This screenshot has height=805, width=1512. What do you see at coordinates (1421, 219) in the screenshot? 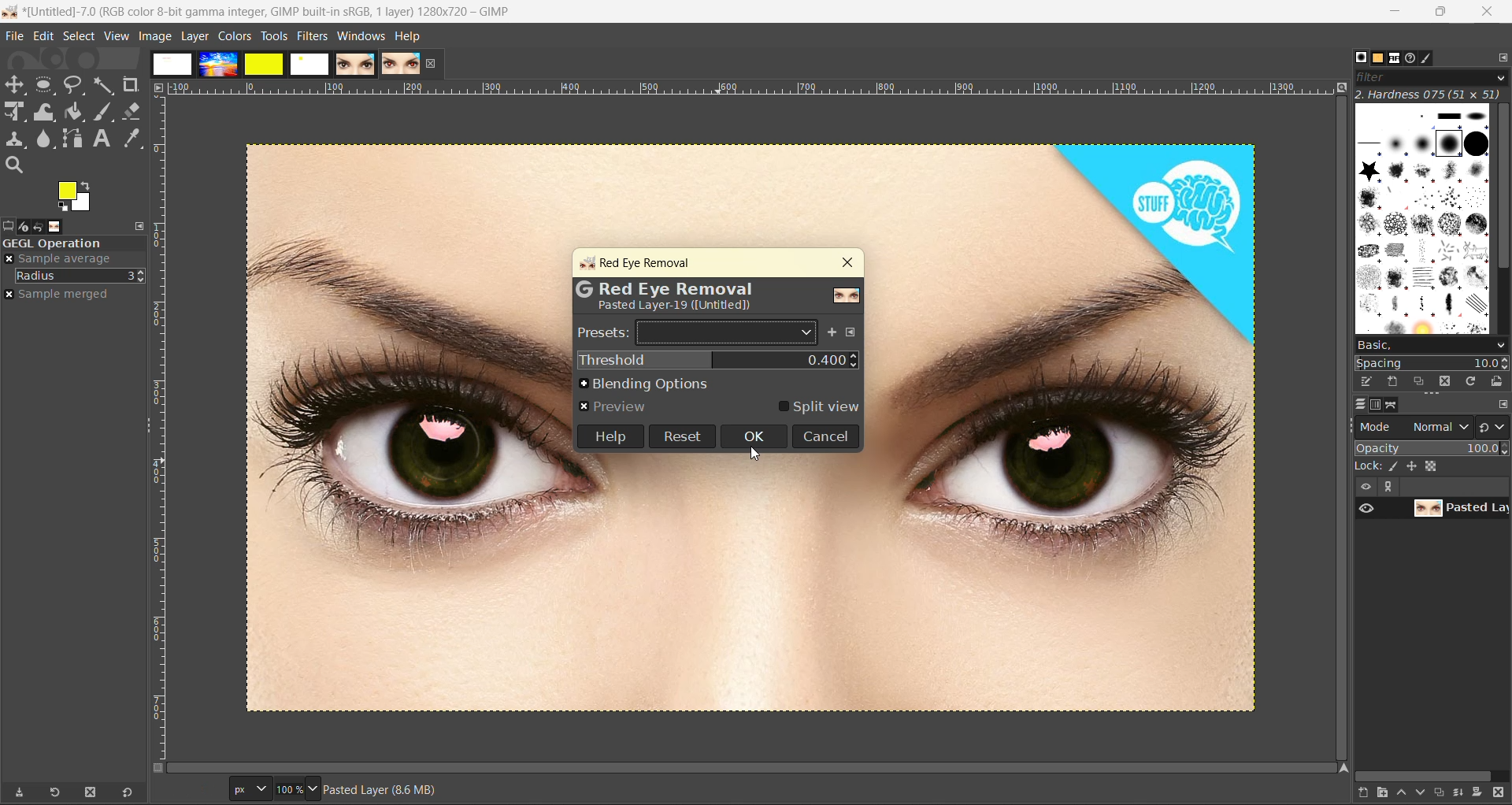
I see `brushes` at bounding box center [1421, 219].